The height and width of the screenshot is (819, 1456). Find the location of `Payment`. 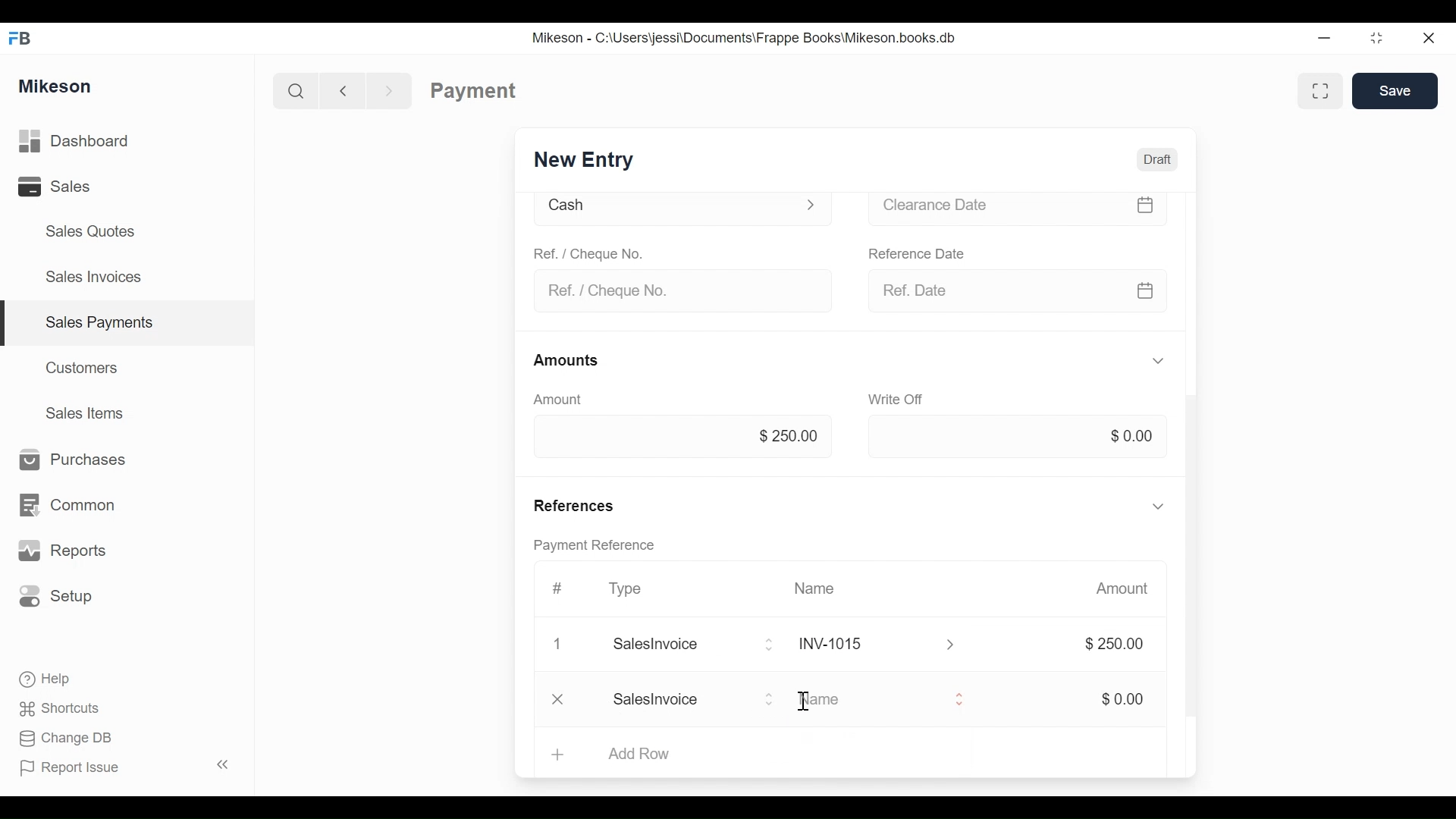

Payment is located at coordinates (472, 89).